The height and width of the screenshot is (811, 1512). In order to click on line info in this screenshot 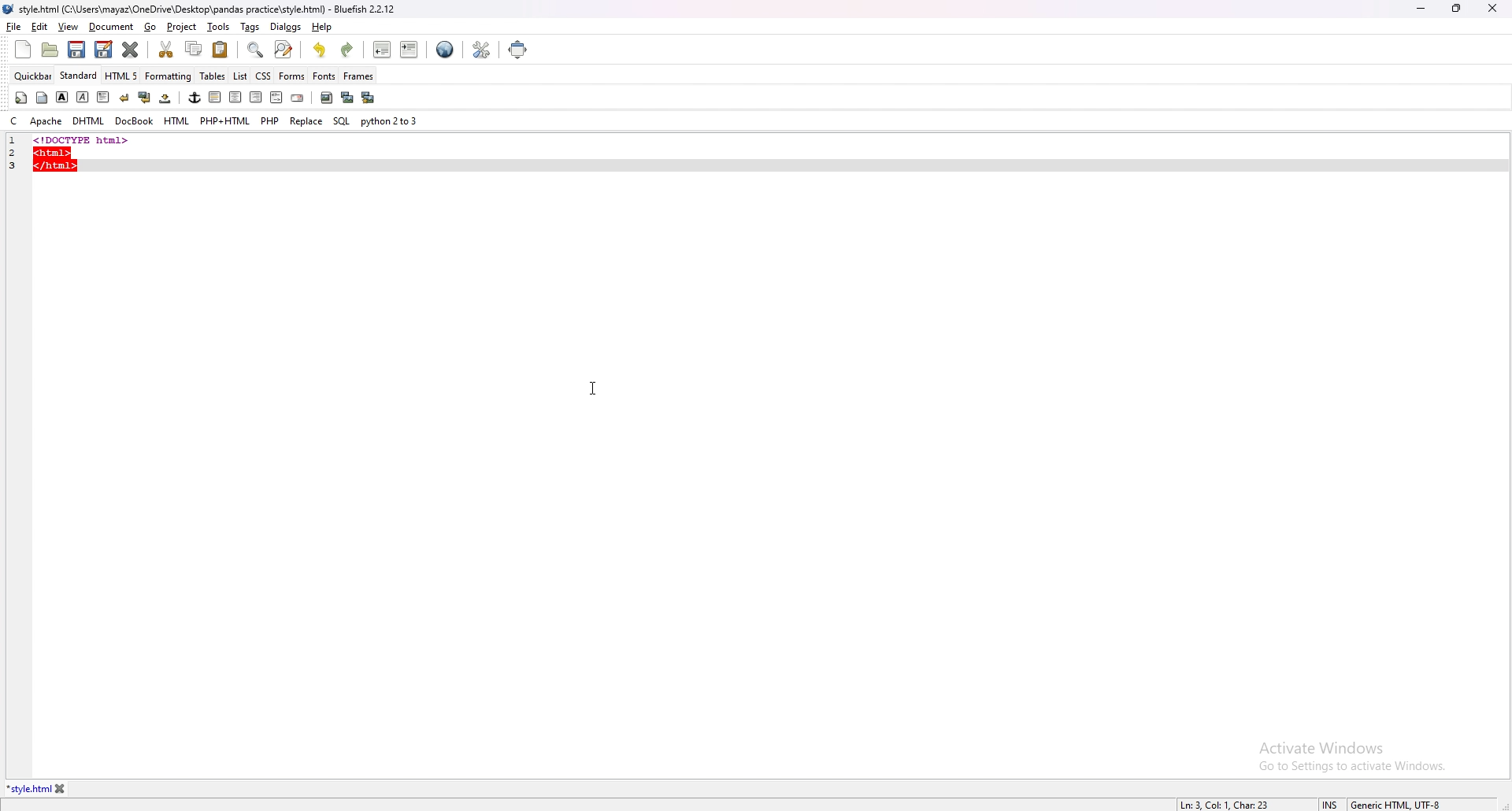, I will do `click(1226, 803)`.